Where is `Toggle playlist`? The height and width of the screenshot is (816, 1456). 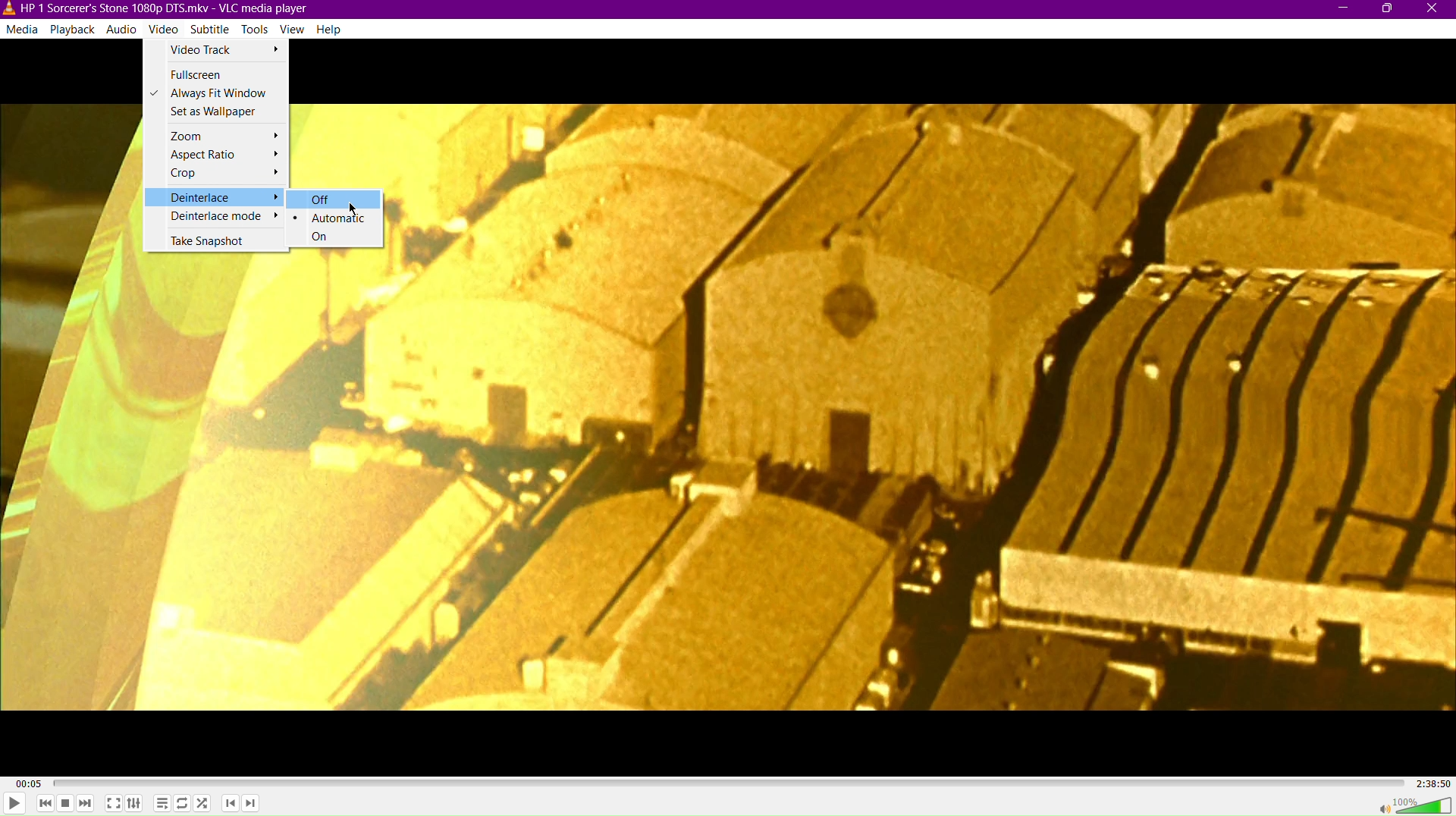
Toggle playlist is located at coordinates (162, 804).